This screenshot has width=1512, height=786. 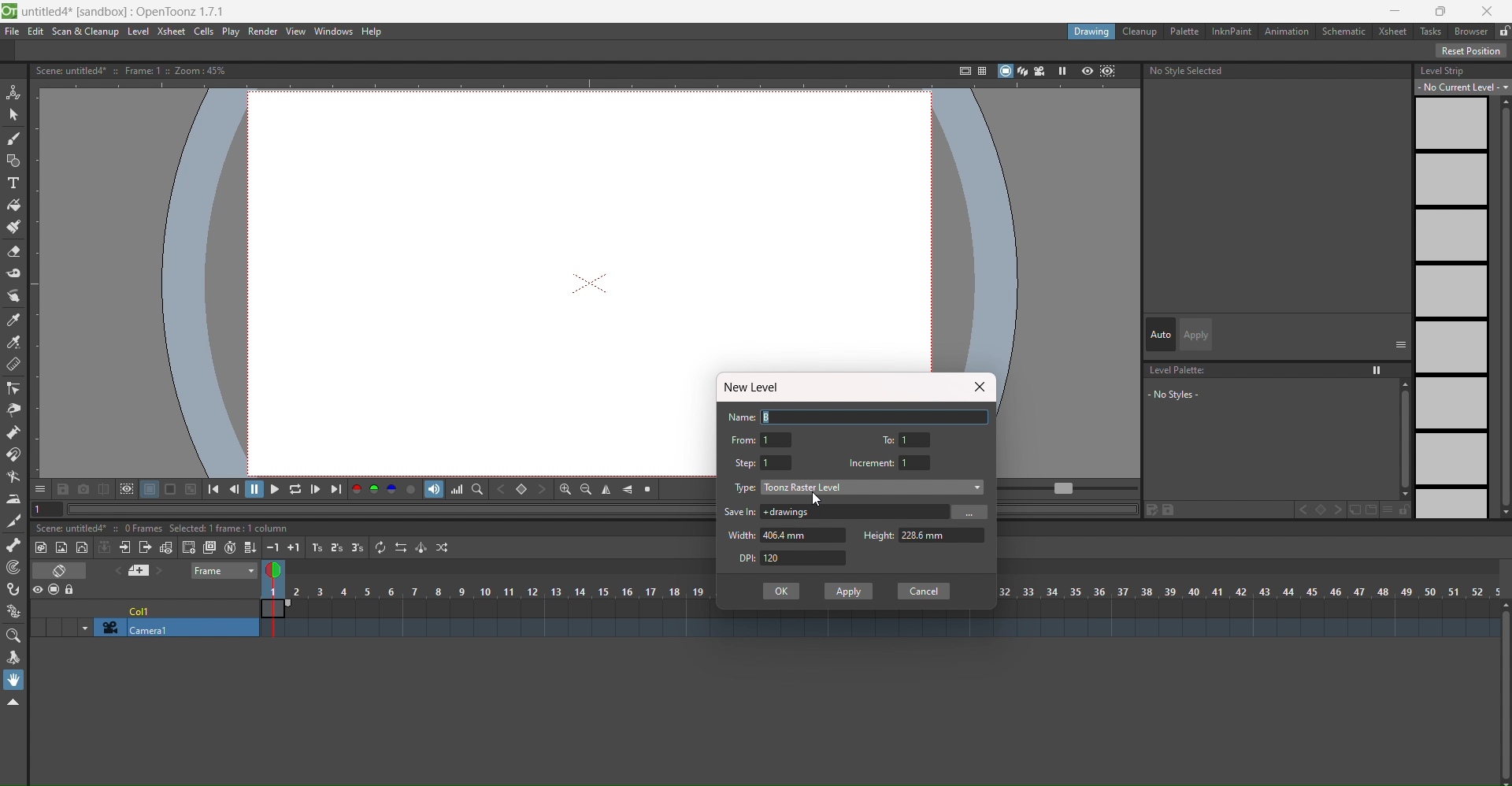 What do you see at coordinates (225, 572) in the screenshot?
I see `frame` at bounding box center [225, 572].